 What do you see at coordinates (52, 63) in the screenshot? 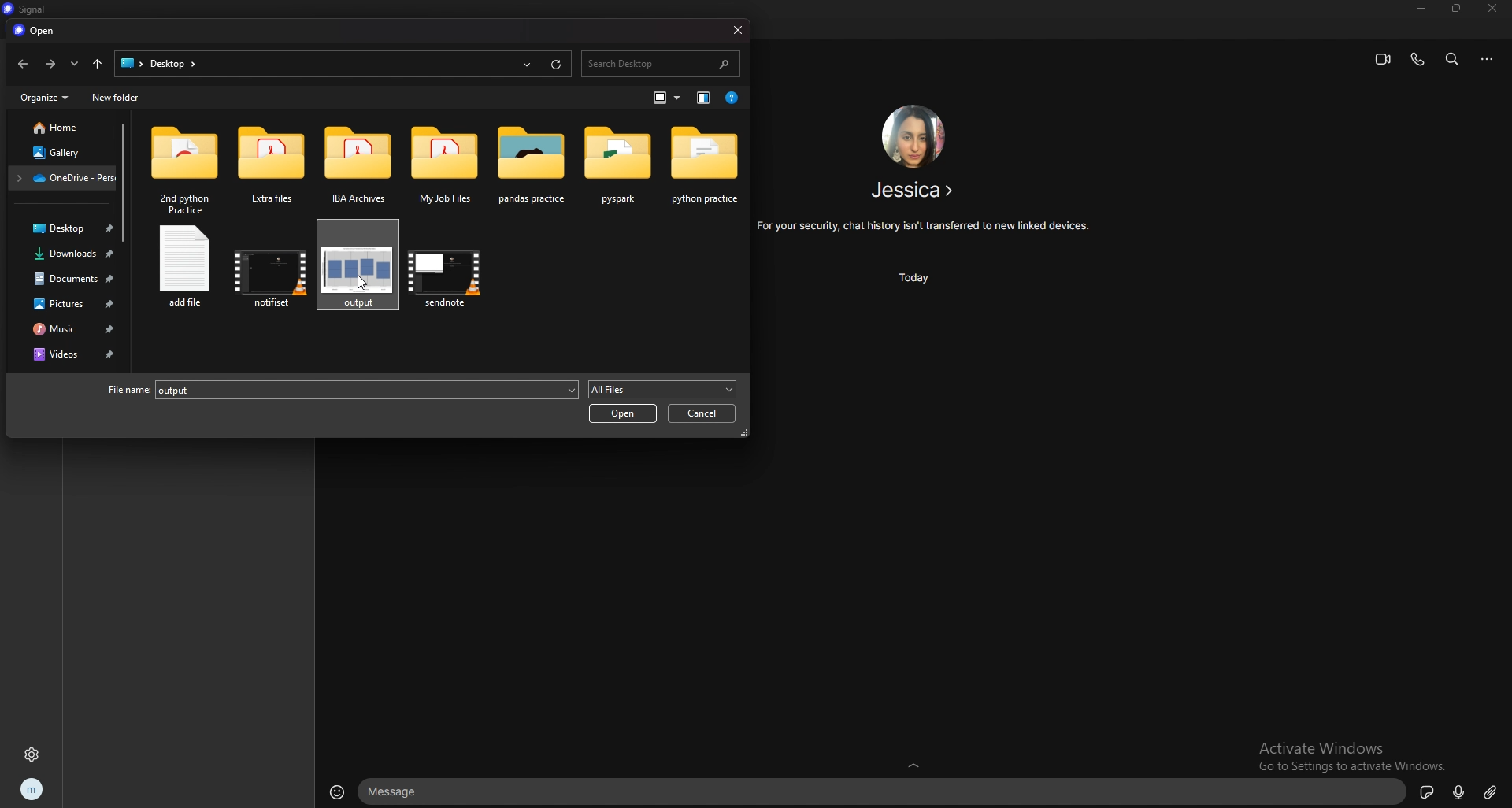
I see `forward` at bounding box center [52, 63].